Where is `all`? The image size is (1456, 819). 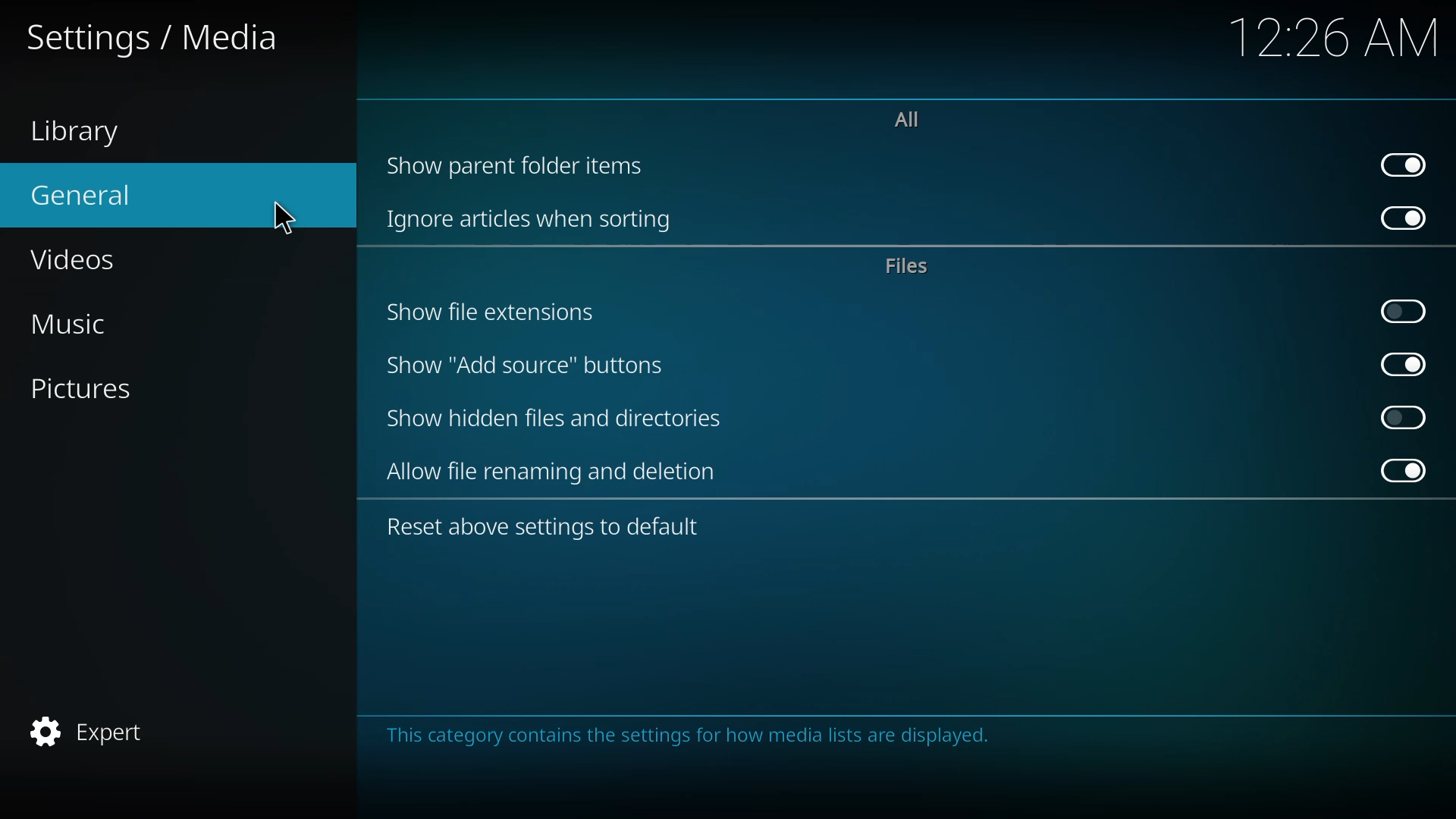 all is located at coordinates (903, 118).